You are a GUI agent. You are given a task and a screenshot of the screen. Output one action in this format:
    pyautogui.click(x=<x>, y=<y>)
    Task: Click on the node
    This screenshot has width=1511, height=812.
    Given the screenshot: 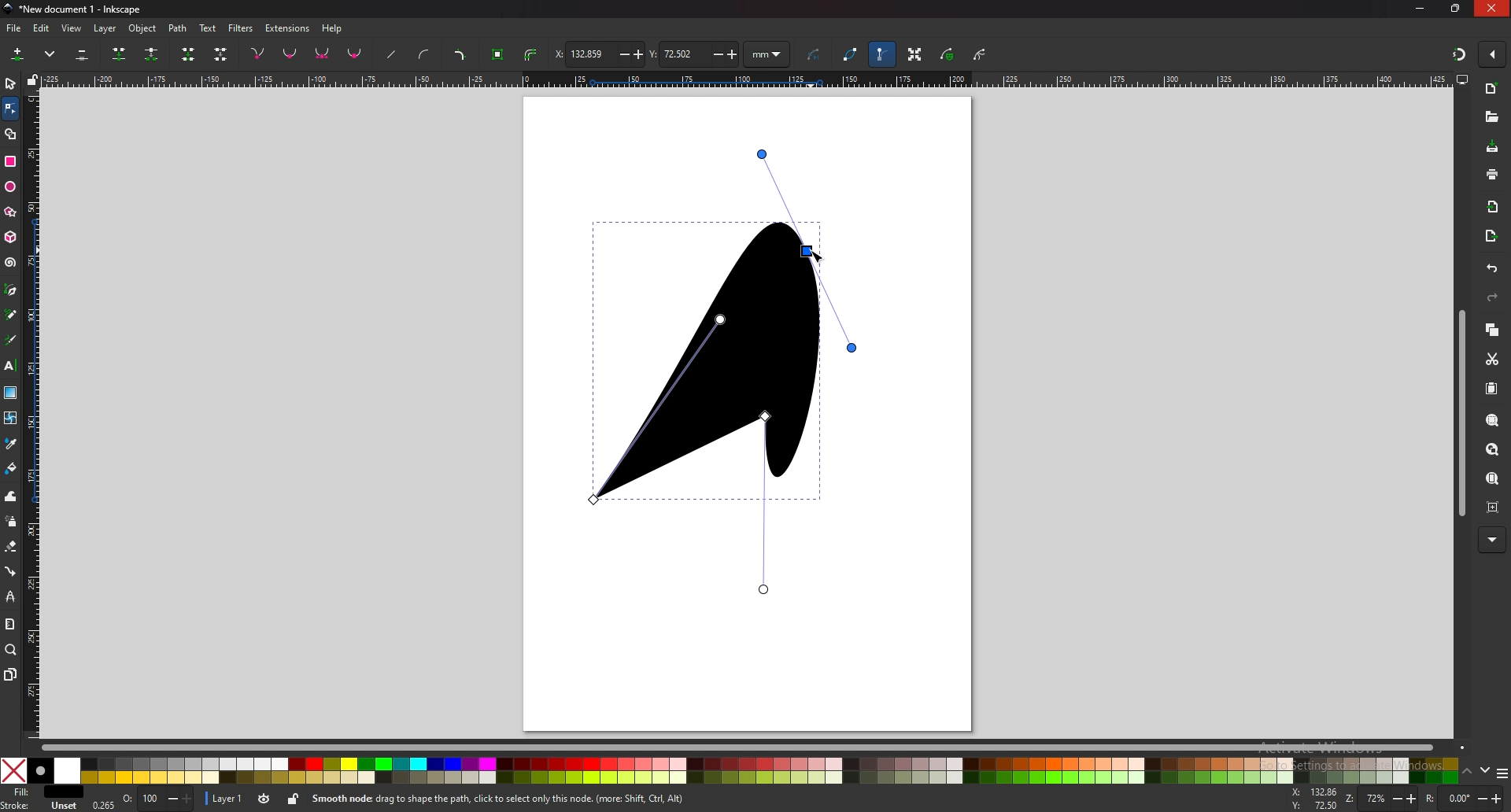 What is the action you would take?
    pyautogui.click(x=9, y=108)
    